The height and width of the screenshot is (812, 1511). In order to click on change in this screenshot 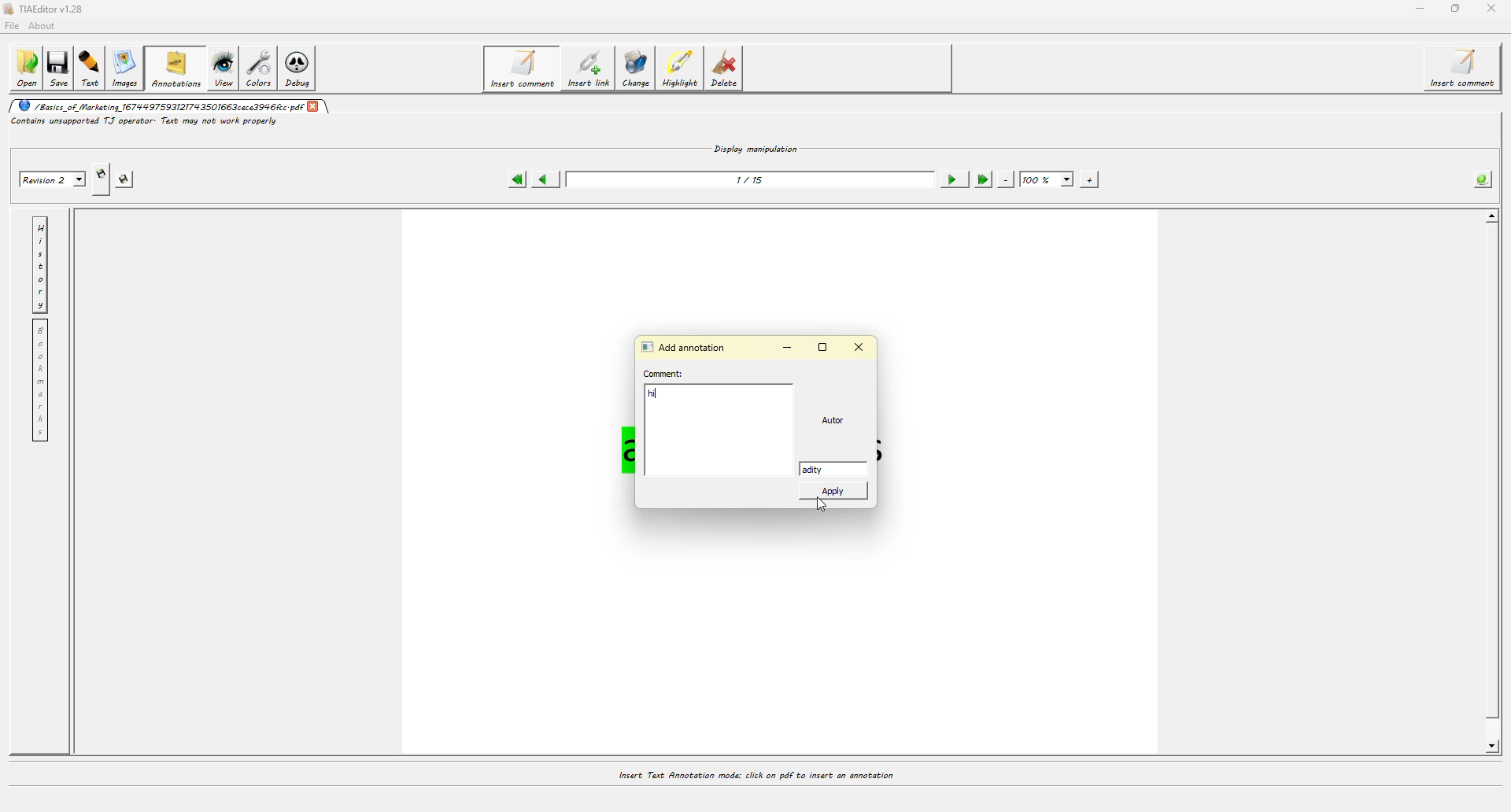, I will do `click(639, 72)`.